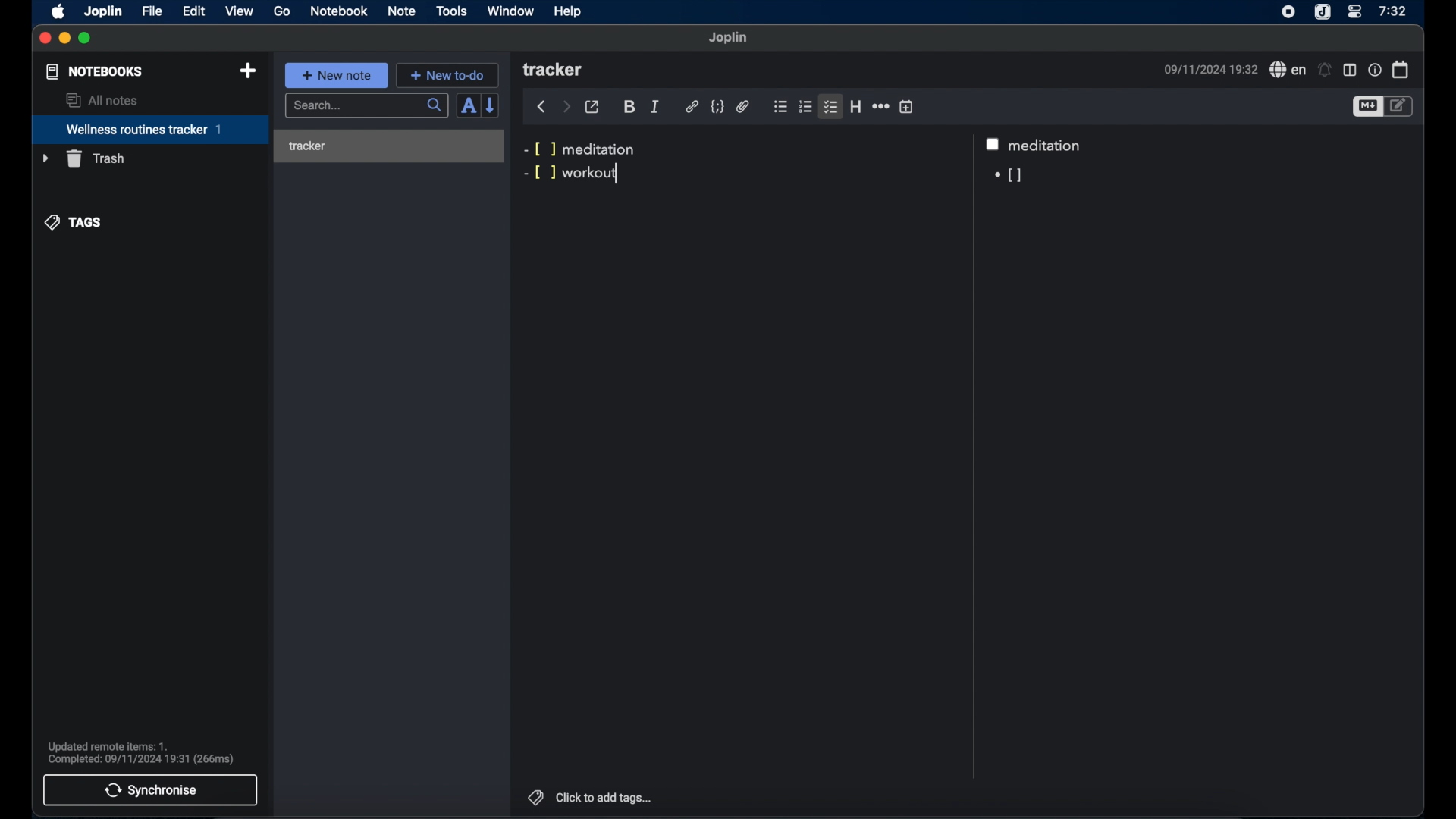  I want to click on click to add tags, so click(605, 797).